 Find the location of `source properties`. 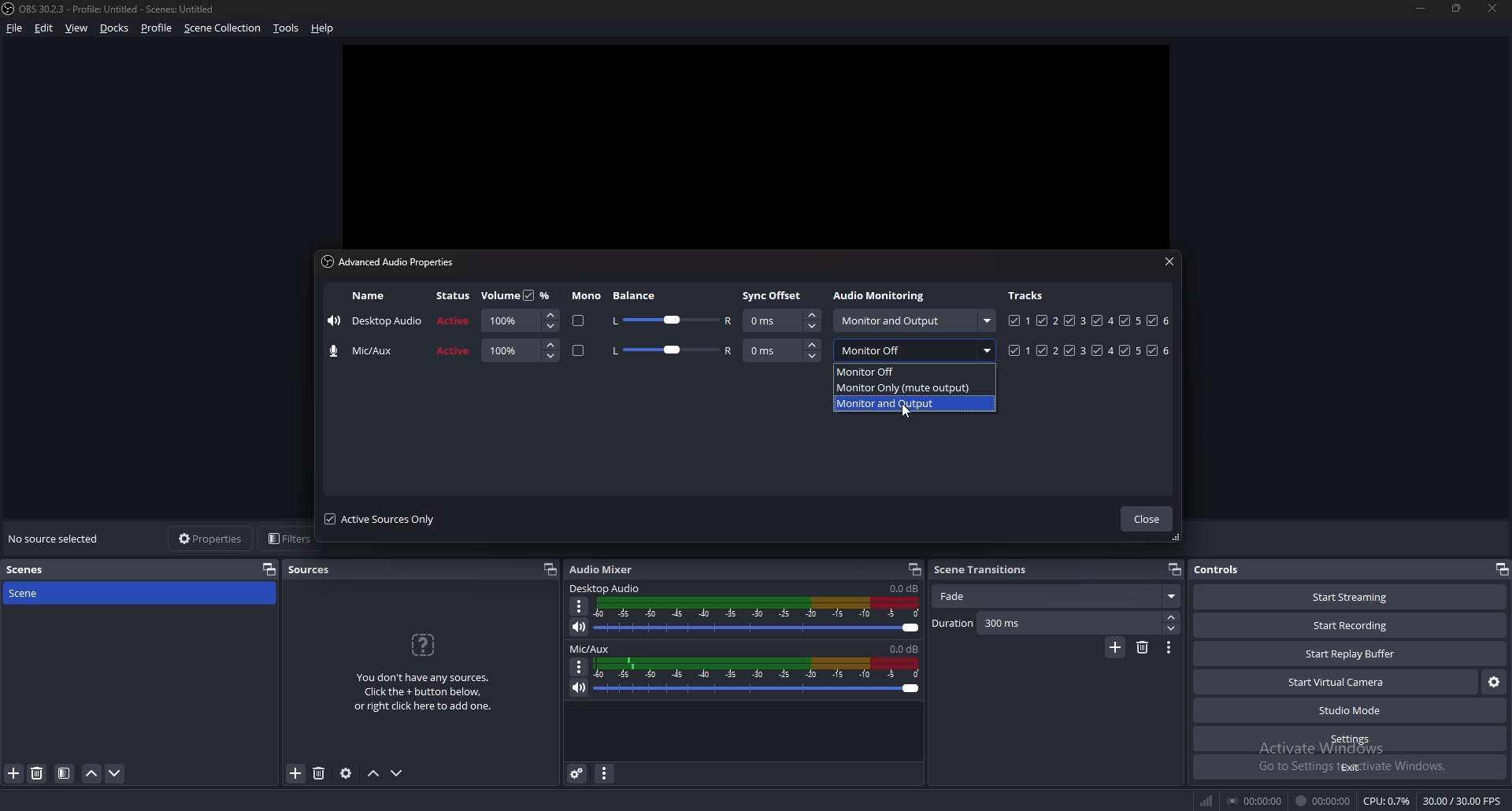

source properties is located at coordinates (347, 772).